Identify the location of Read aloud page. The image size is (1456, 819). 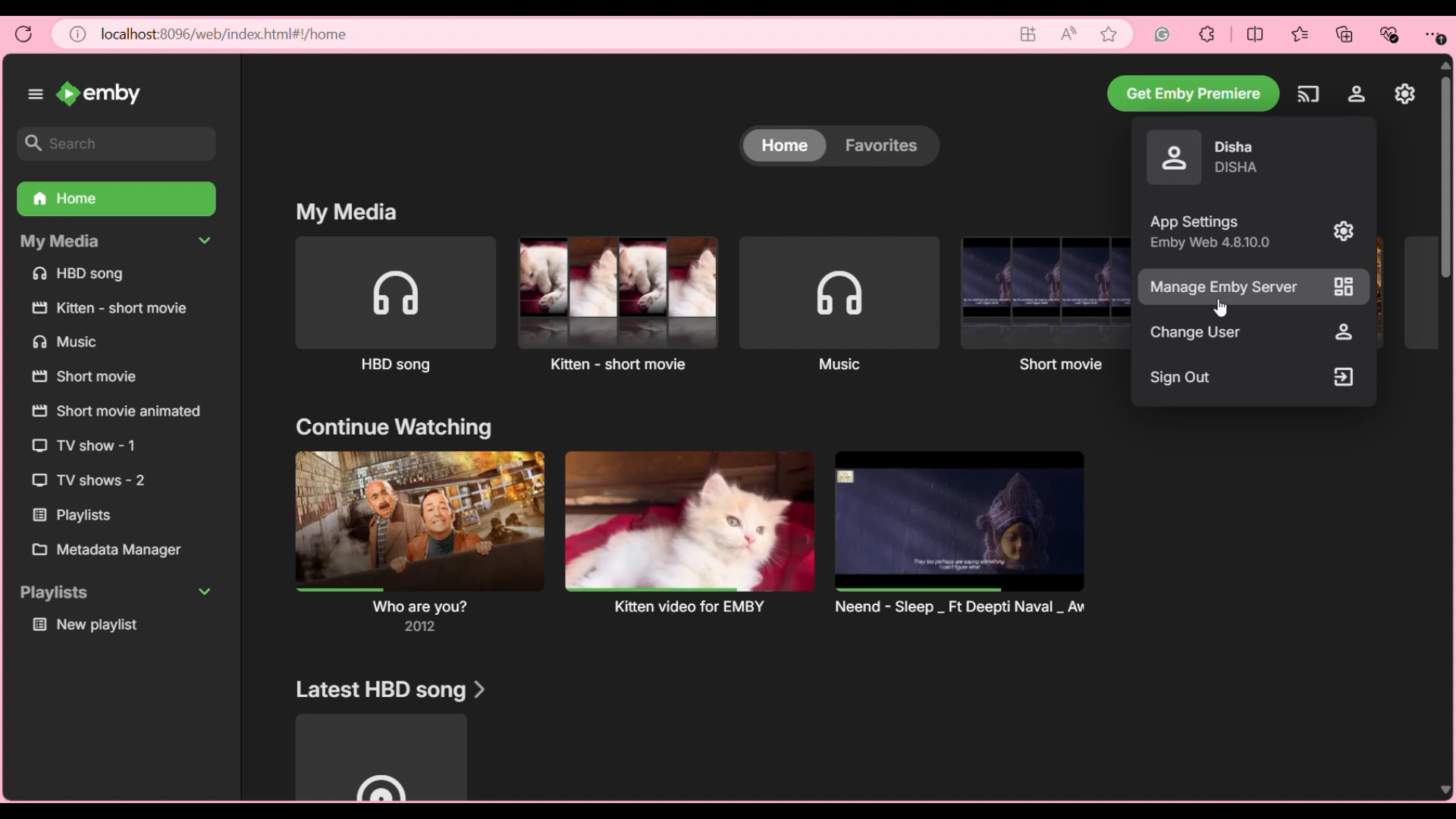
(1068, 34).